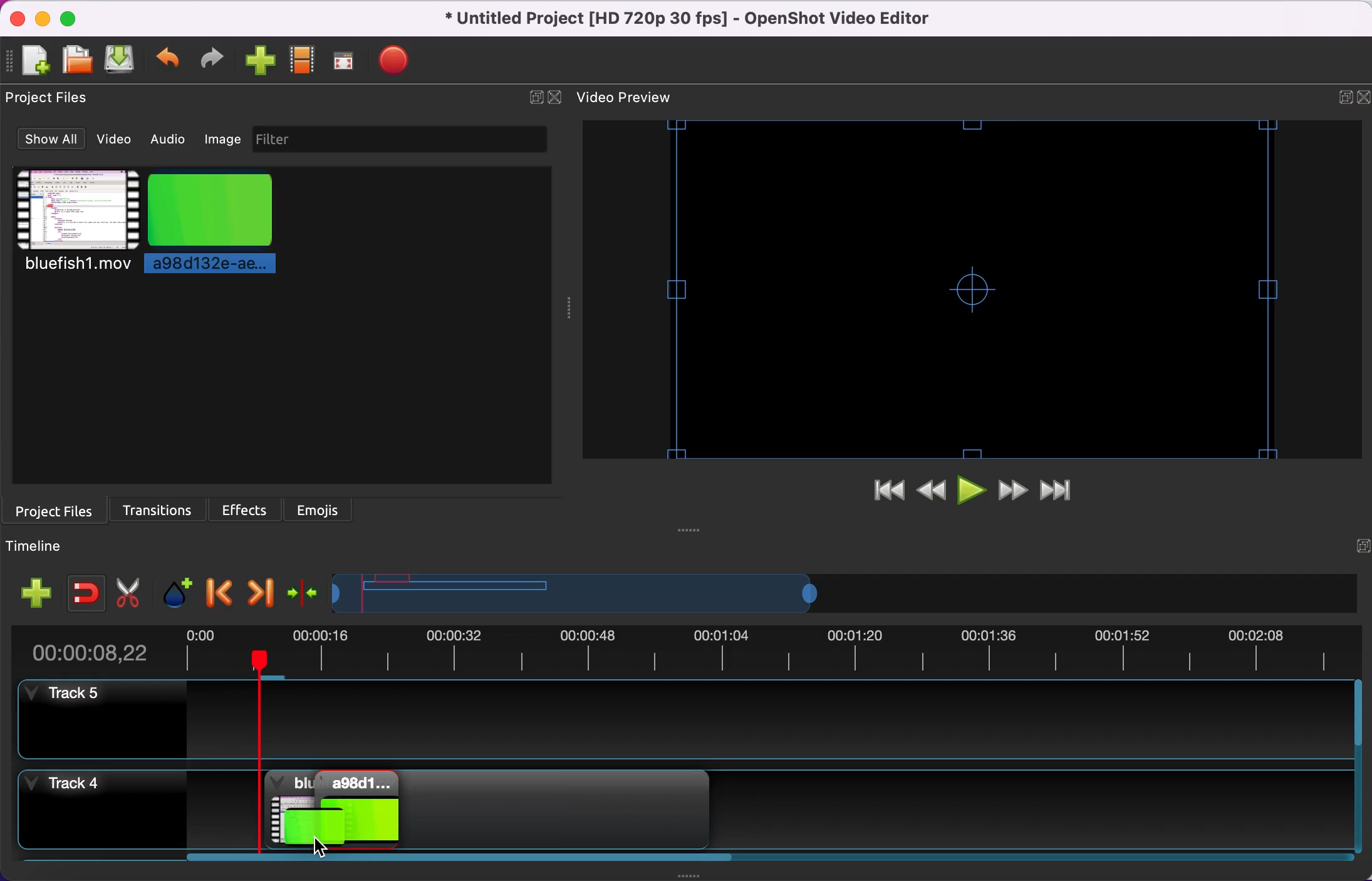 This screenshot has width=1372, height=881. What do you see at coordinates (1356, 536) in the screenshot?
I see `expand/hide` at bounding box center [1356, 536].